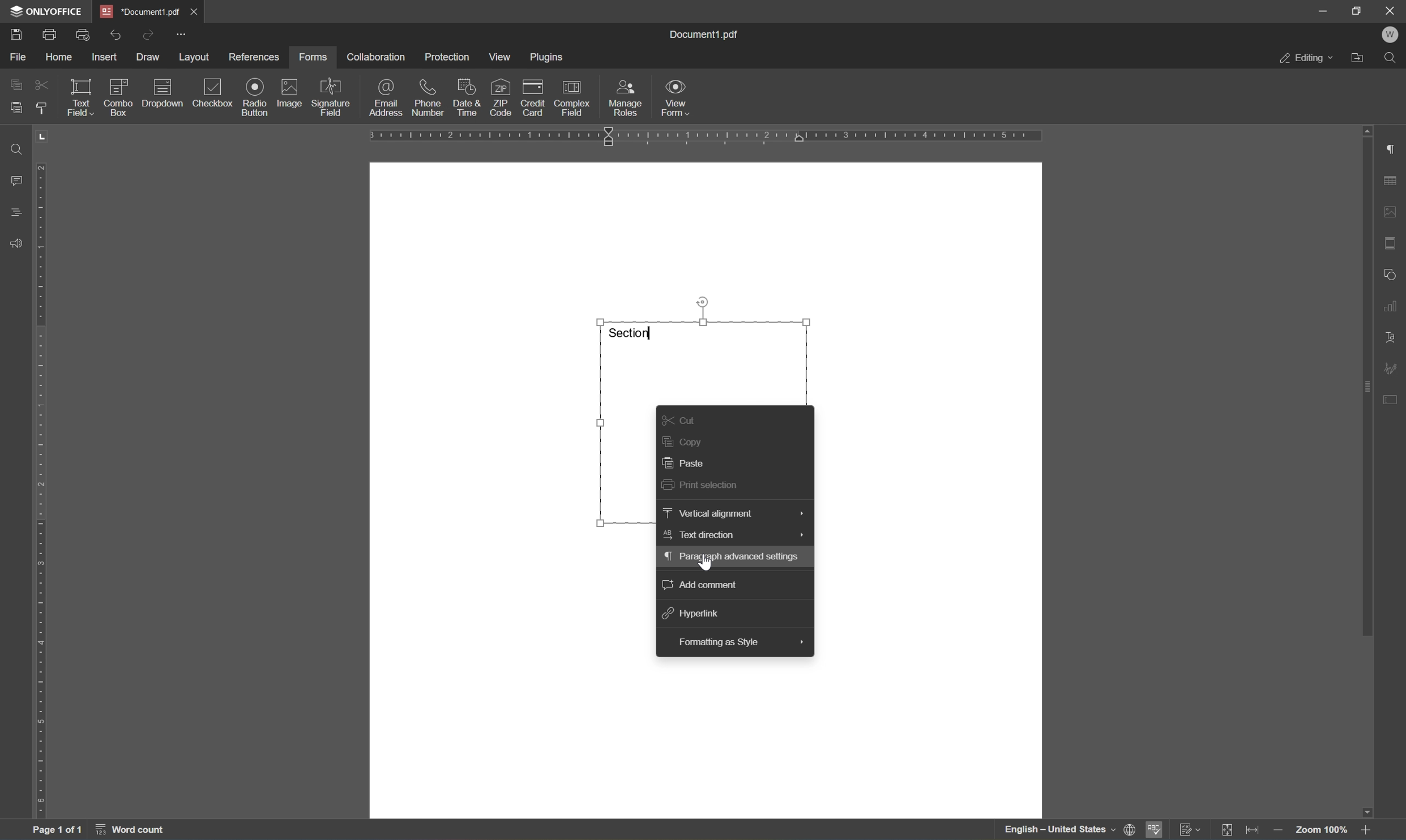  I want to click on copy, so click(17, 83).